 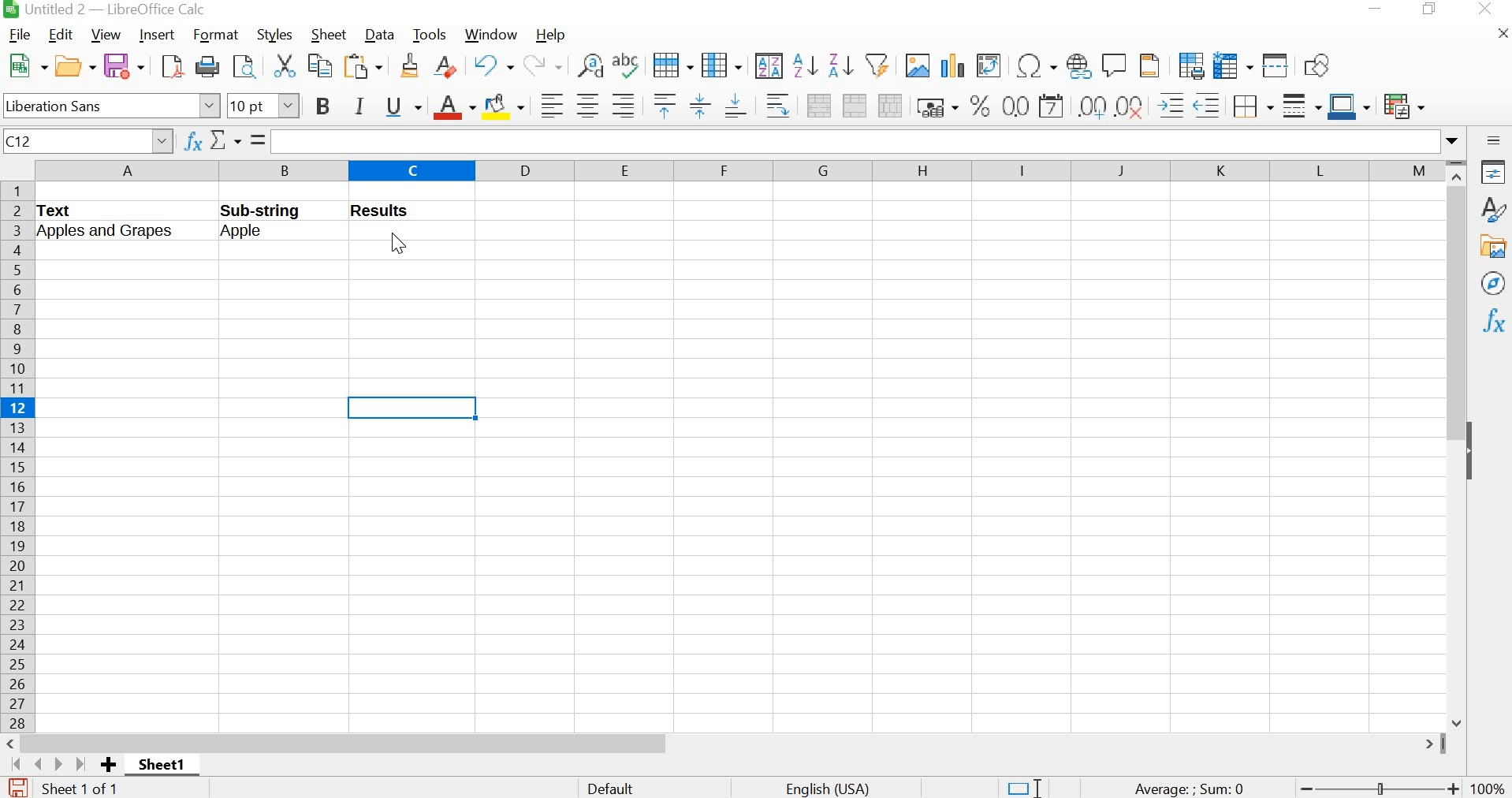 What do you see at coordinates (272, 33) in the screenshot?
I see `styles` at bounding box center [272, 33].